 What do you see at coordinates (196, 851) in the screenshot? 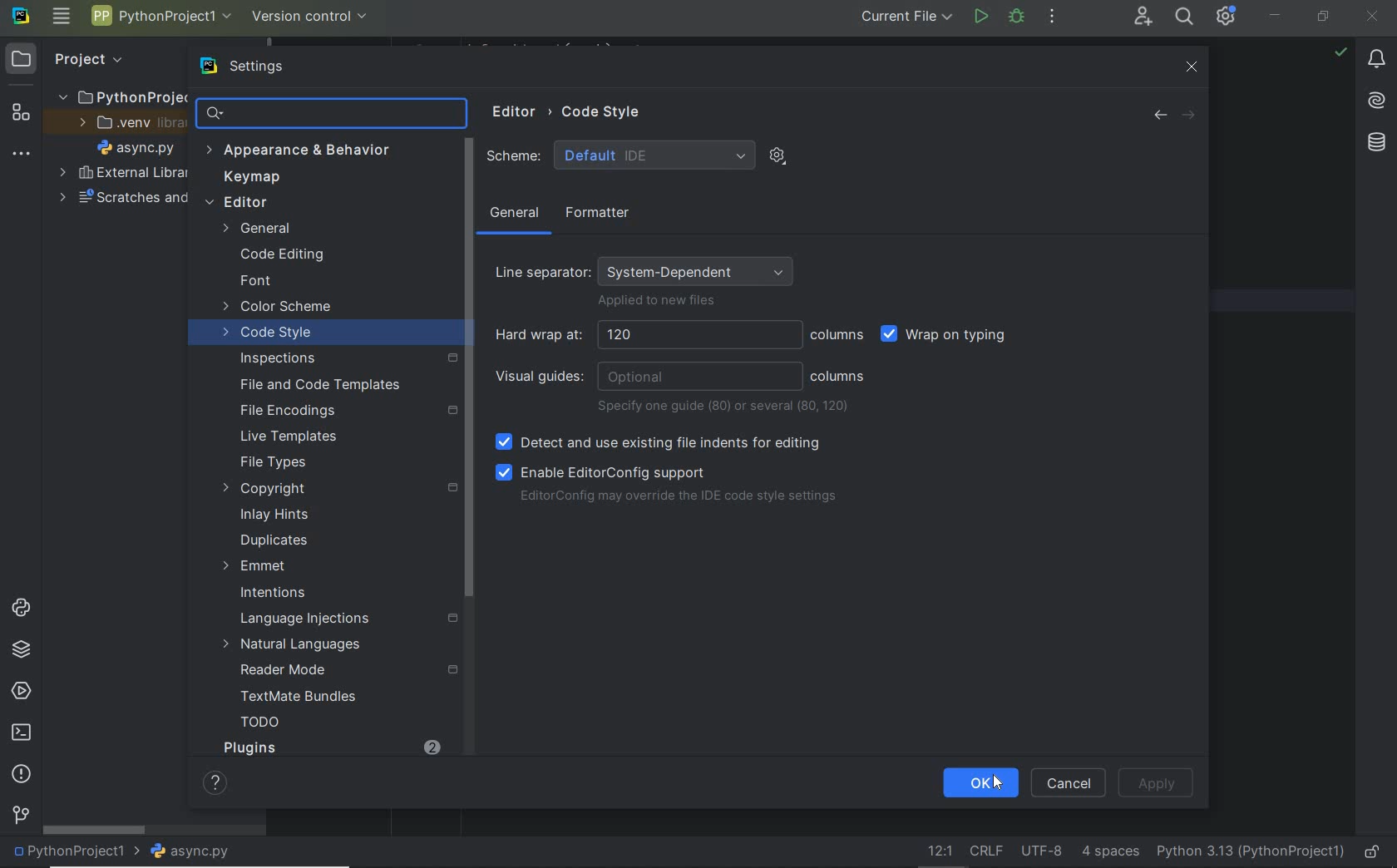
I see `file name` at bounding box center [196, 851].